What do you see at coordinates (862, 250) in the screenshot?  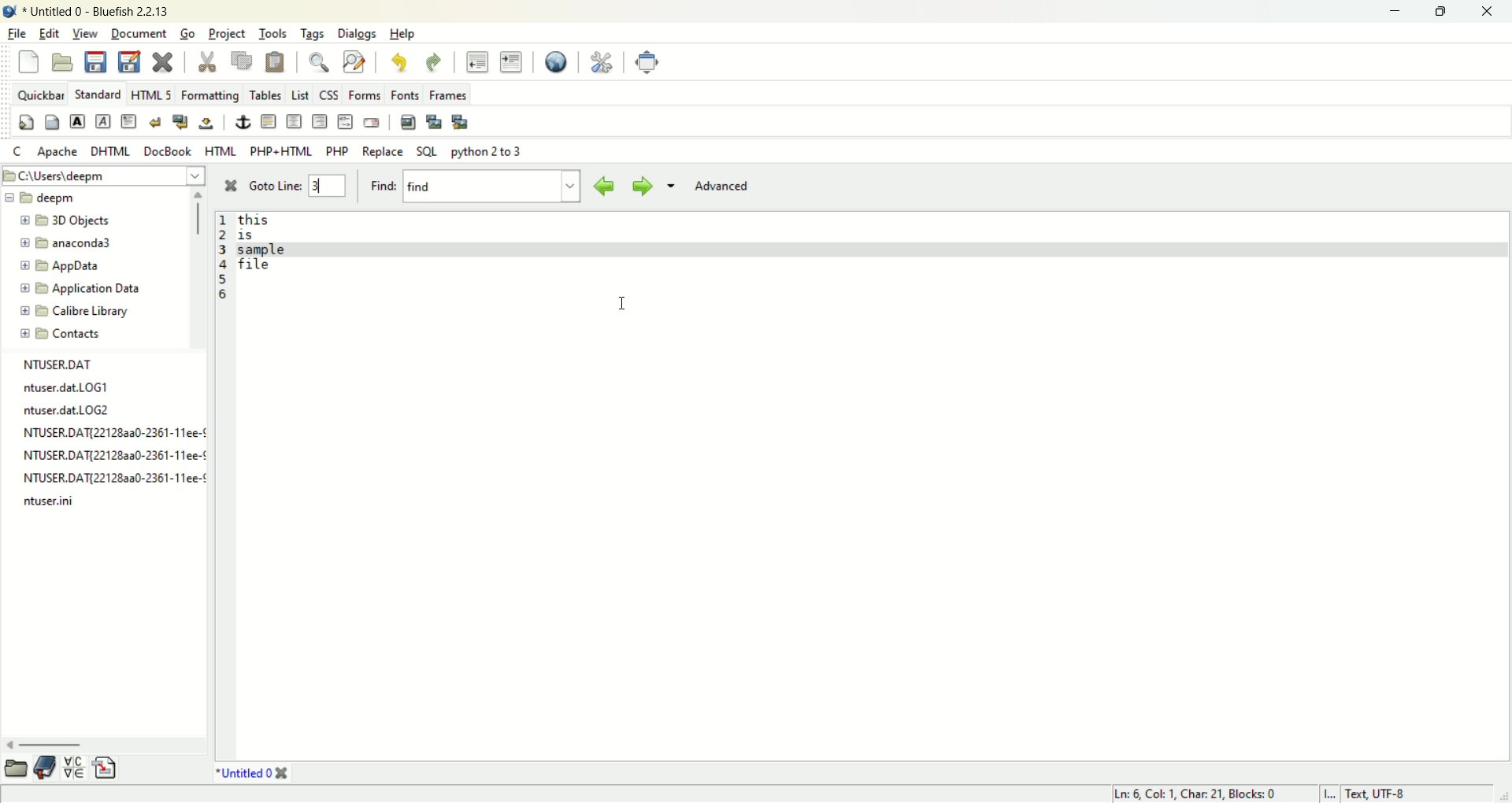 I see `line 3 selected` at bounding box center [862, 250].